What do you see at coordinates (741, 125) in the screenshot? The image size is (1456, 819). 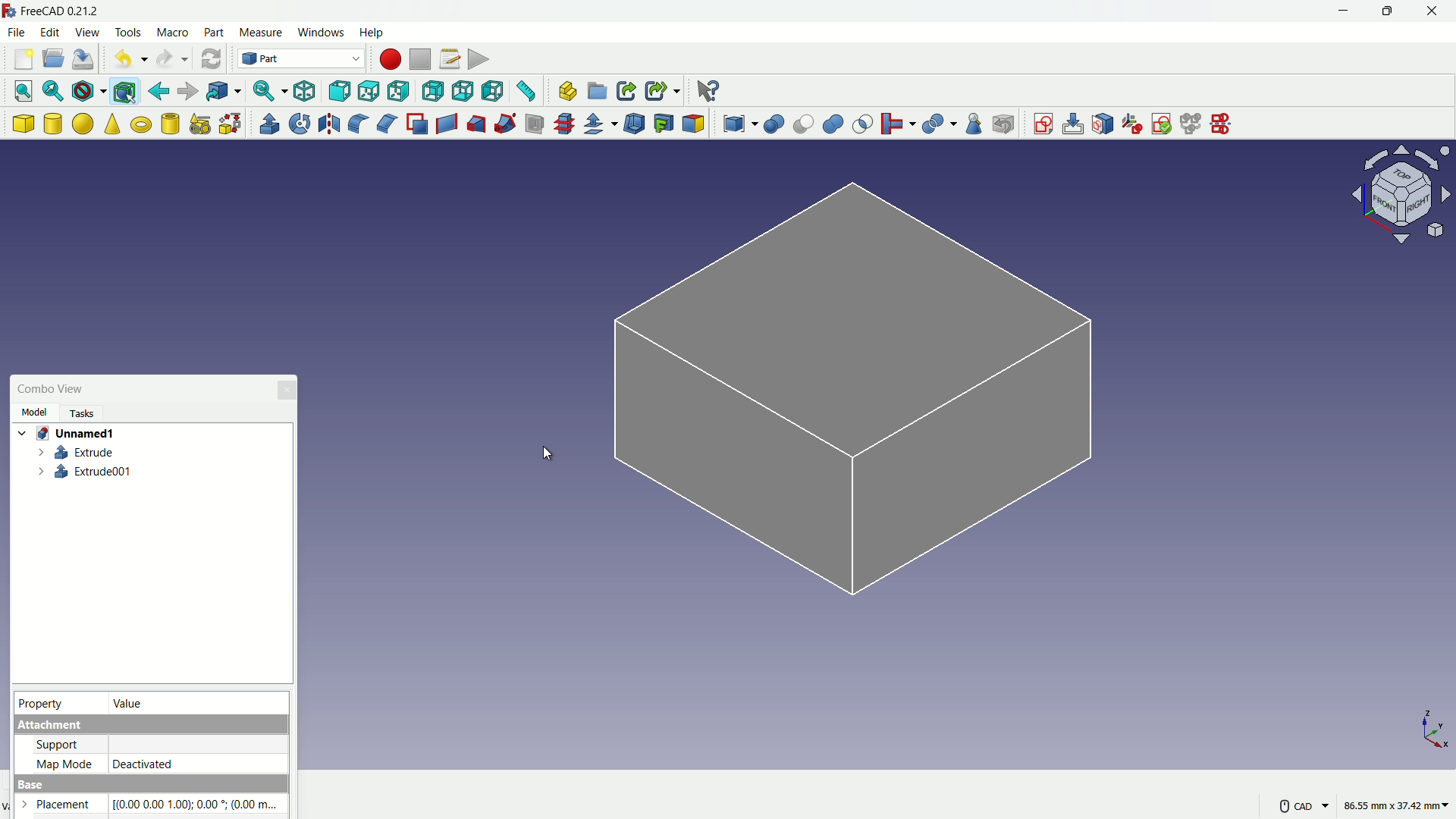 I see `compound tool` at bounding box center [741, 125].